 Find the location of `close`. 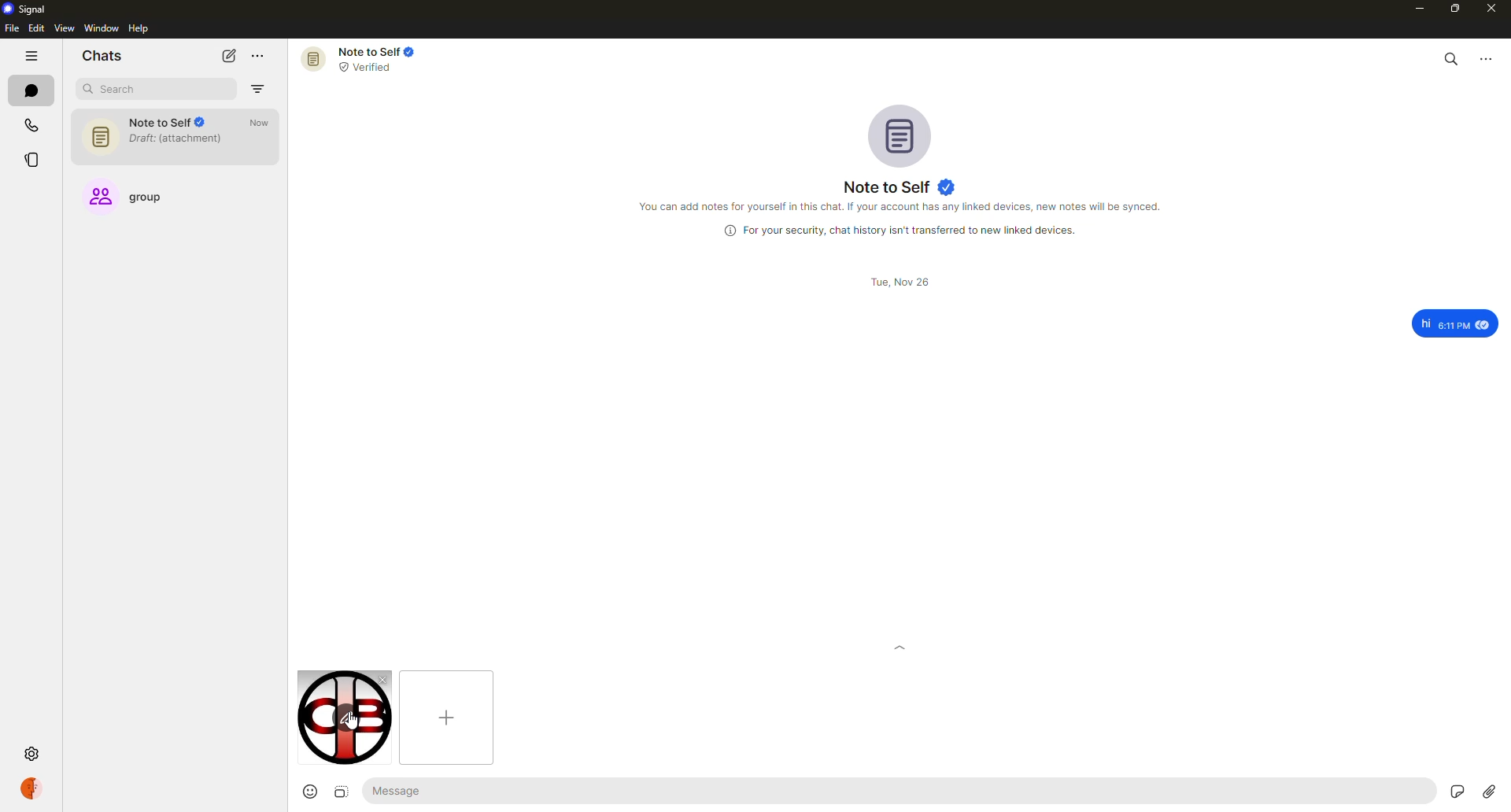

close is located at coordinates (1494, 10).